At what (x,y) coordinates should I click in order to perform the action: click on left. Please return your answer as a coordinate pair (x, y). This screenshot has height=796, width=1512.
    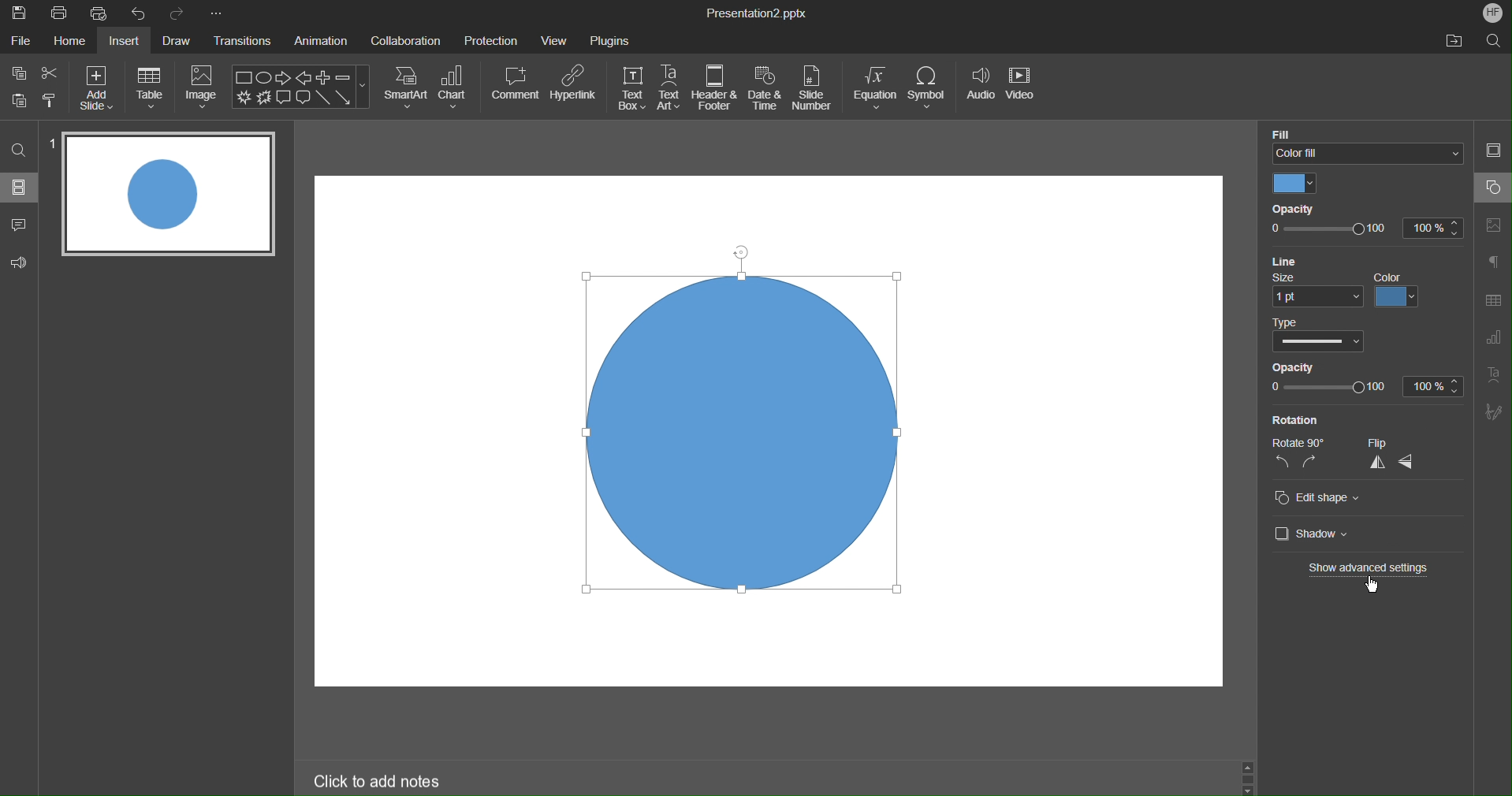
    Looking at the image, I should click on (1281, 464).